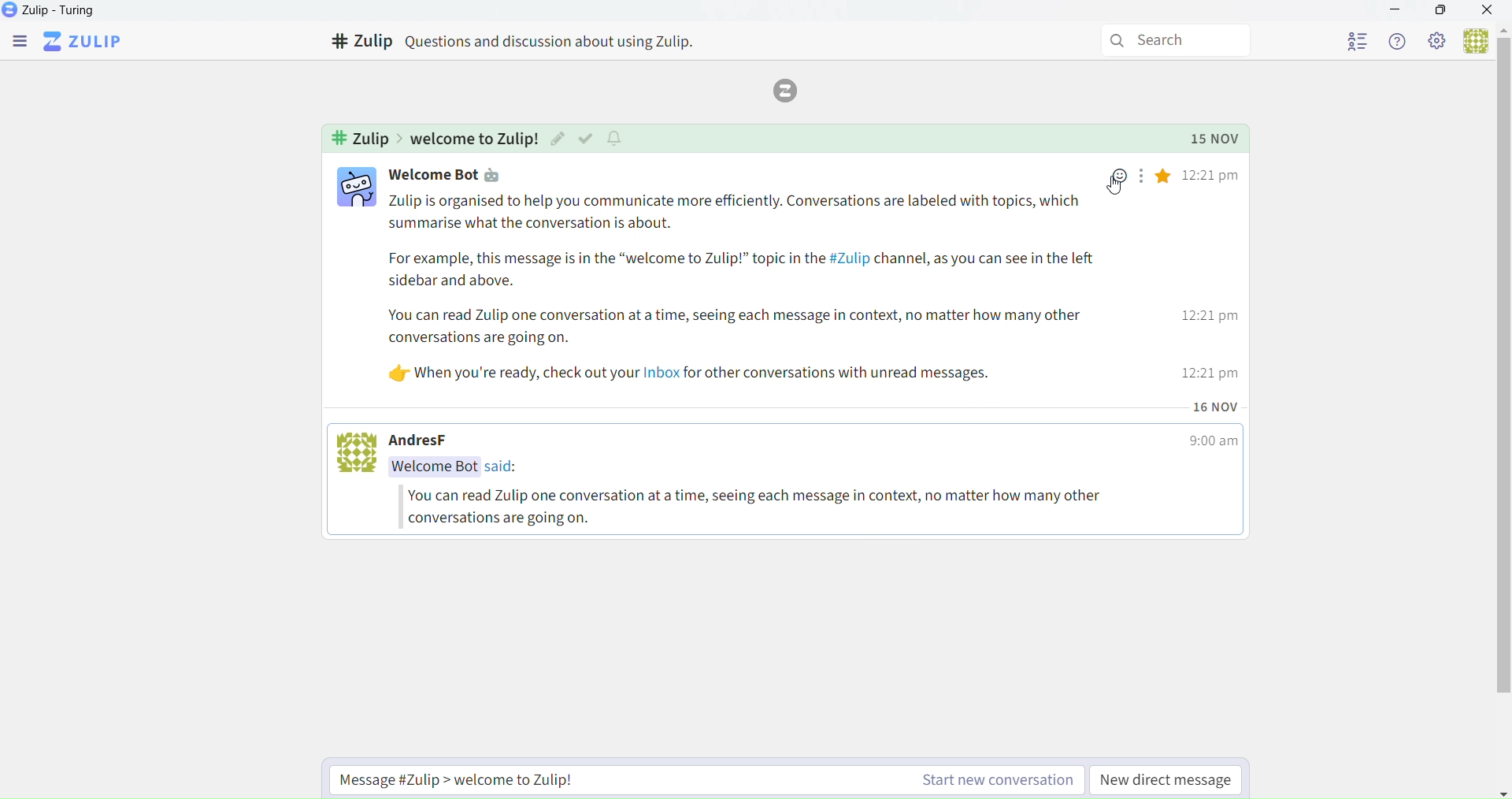  I want to click on Settings, so click(1437, 43).